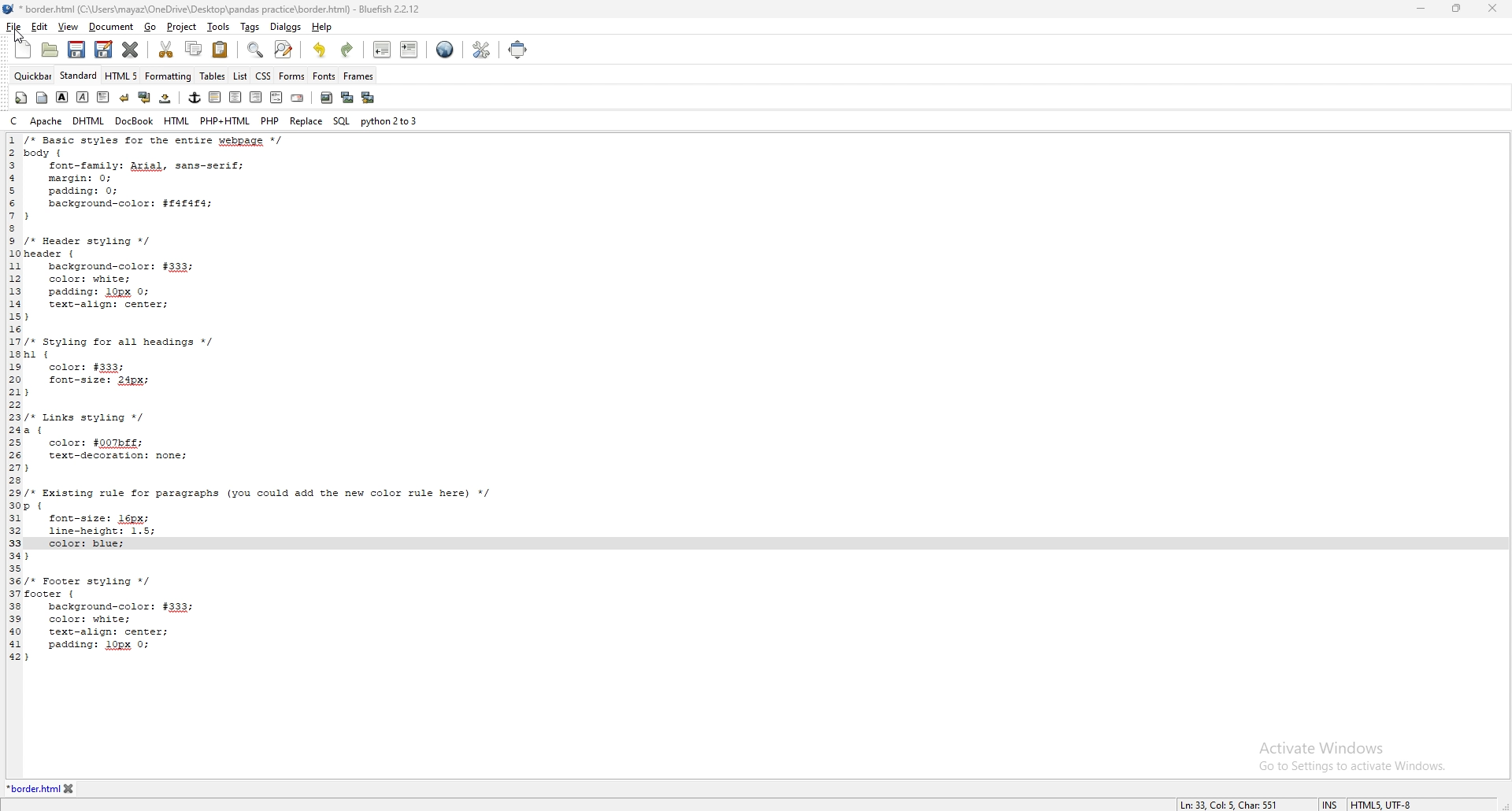 Image resolution: width=1512 pixels, height=811 pixels. What do you see at coordinates (341, 120) in the screenshot?
I see `sql` at bounding box center [341, 120].